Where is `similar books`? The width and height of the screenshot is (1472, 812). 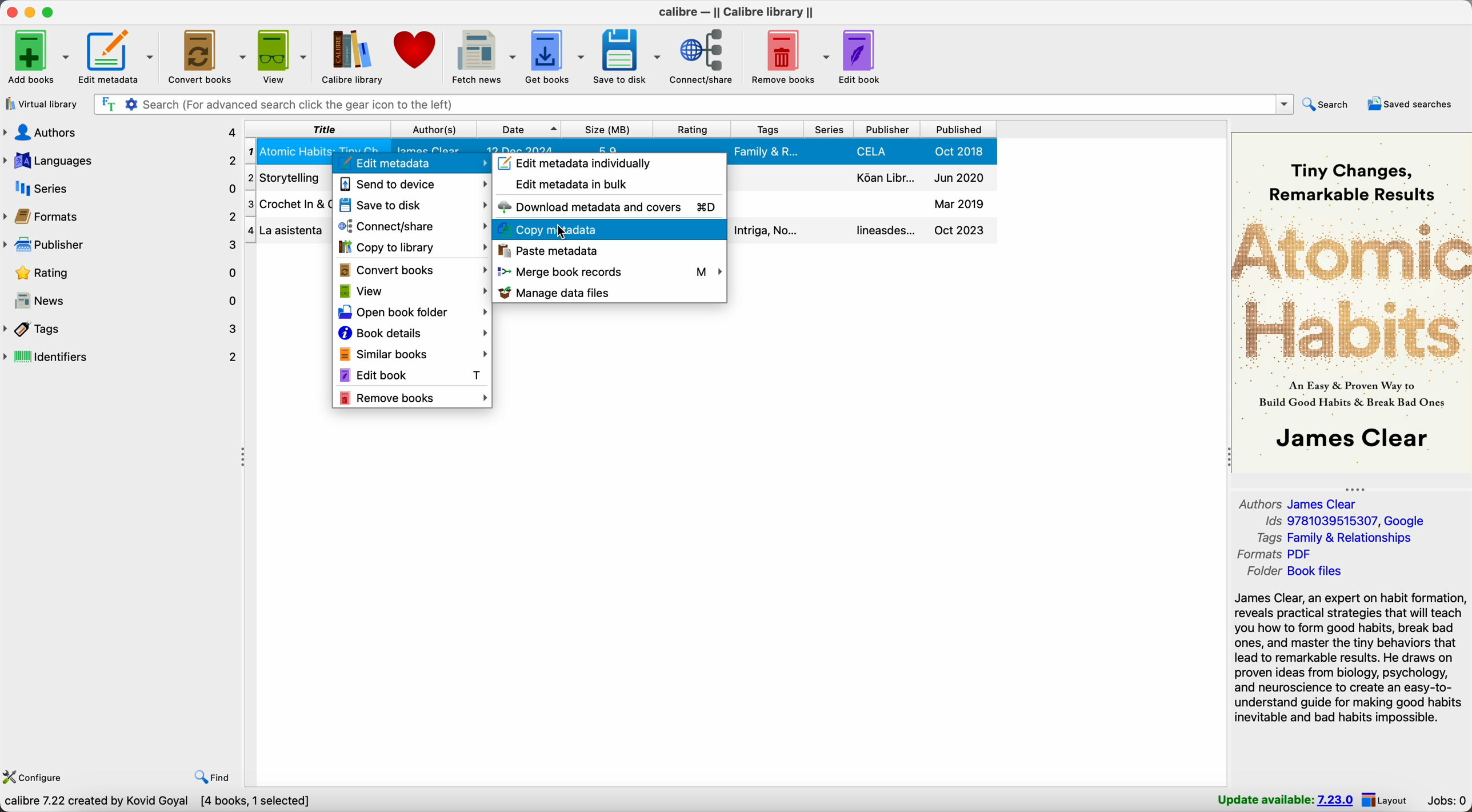 similar books is located at coordinates (414, 352).